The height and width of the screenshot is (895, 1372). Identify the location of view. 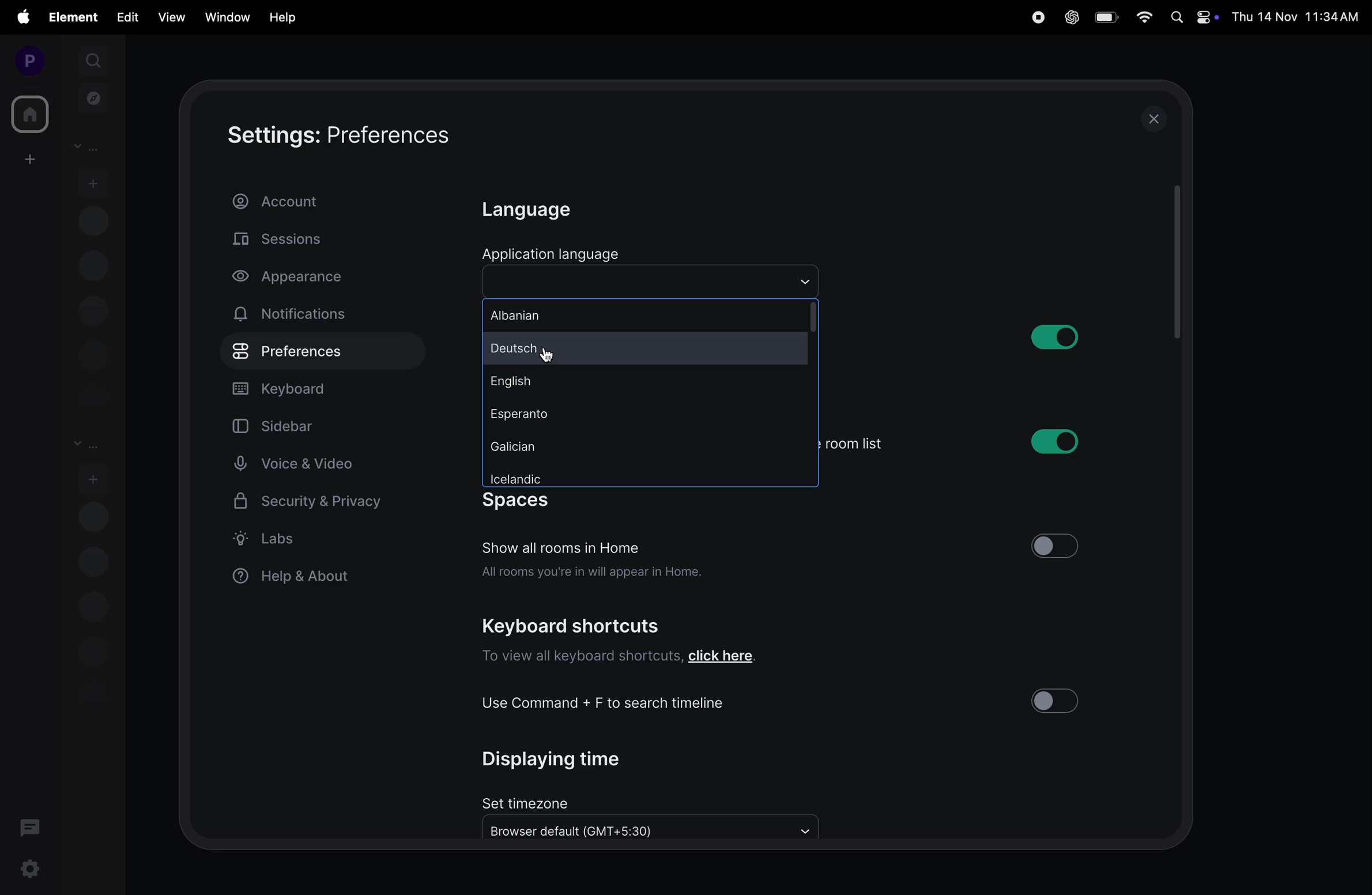
(170, 17).